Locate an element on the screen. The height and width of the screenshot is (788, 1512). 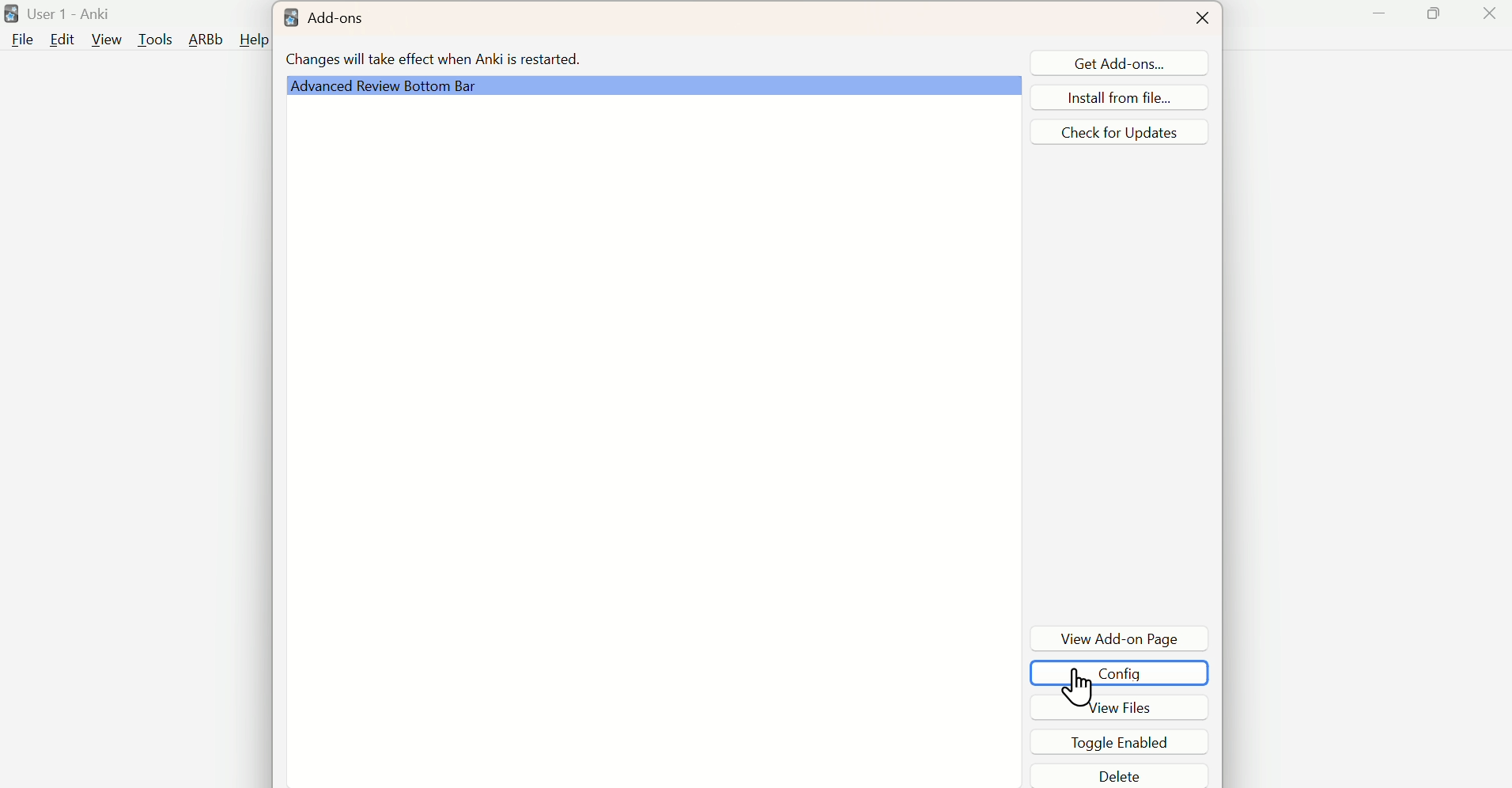
file is located at coordinates (19, 44).